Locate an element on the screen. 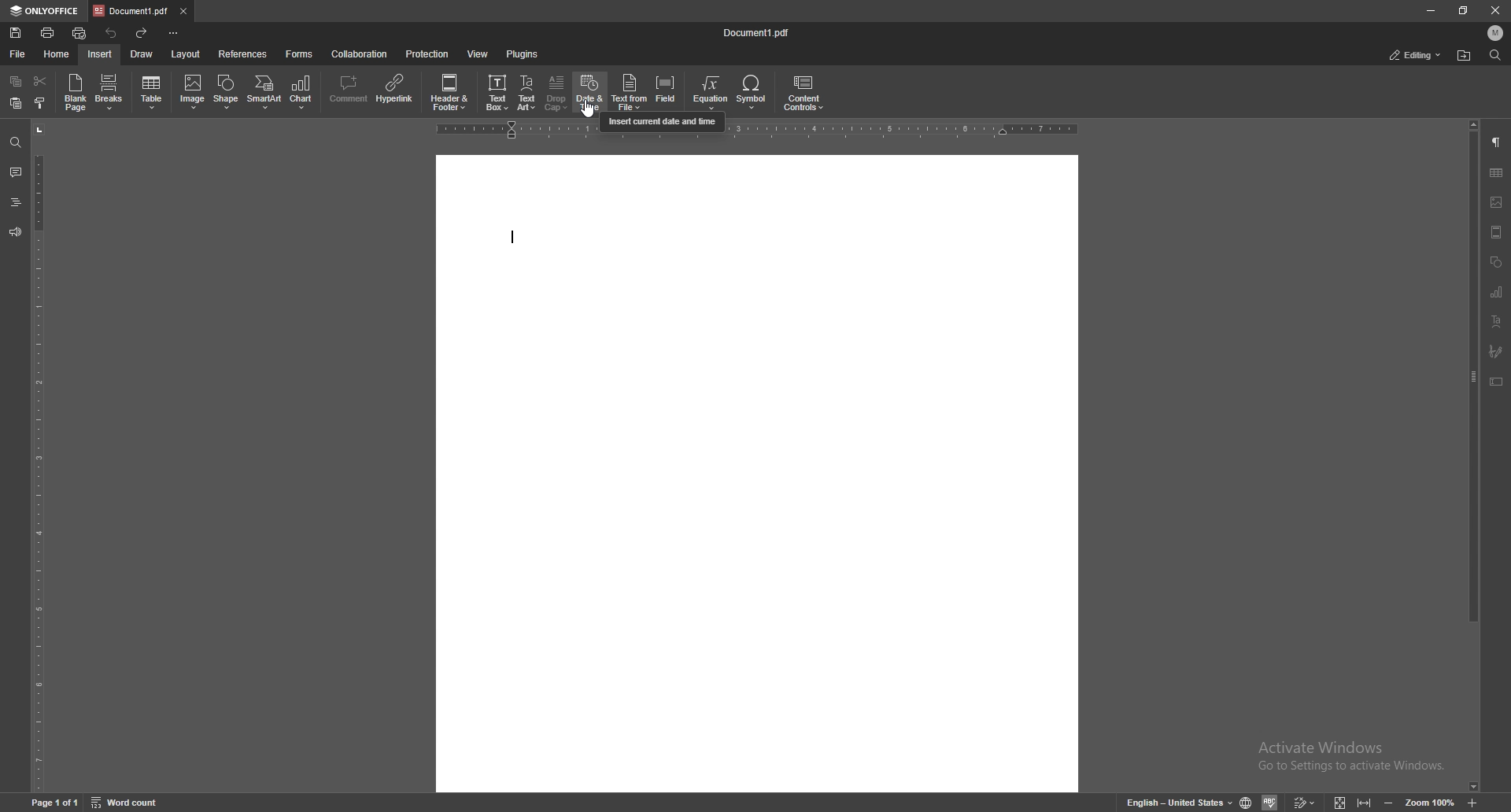 Image resolution: width=1511 pixels, height=812 pixels. smart art is located at coordinates (264, 92).